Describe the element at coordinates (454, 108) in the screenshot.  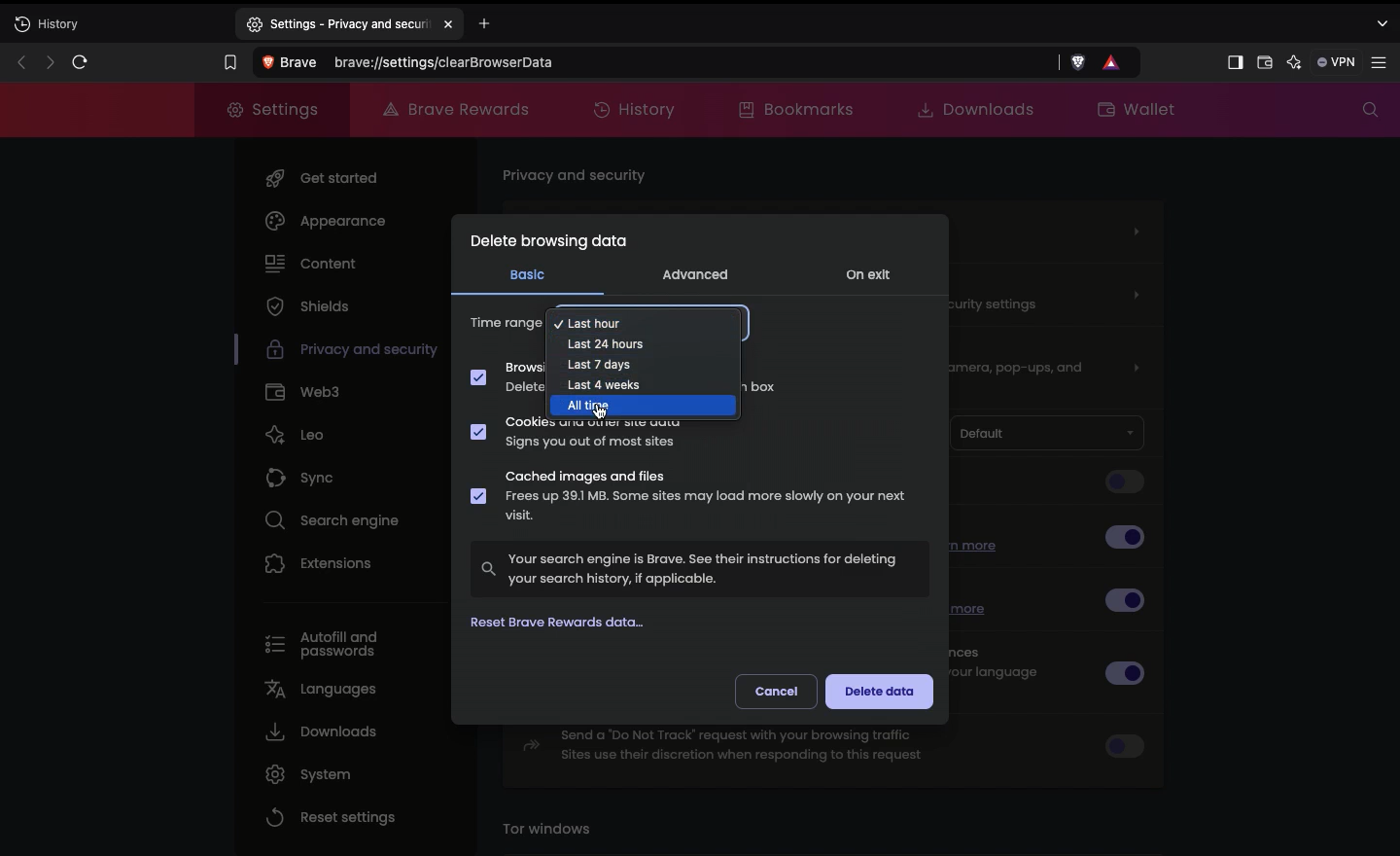
I see `Brave rewards` at that location.